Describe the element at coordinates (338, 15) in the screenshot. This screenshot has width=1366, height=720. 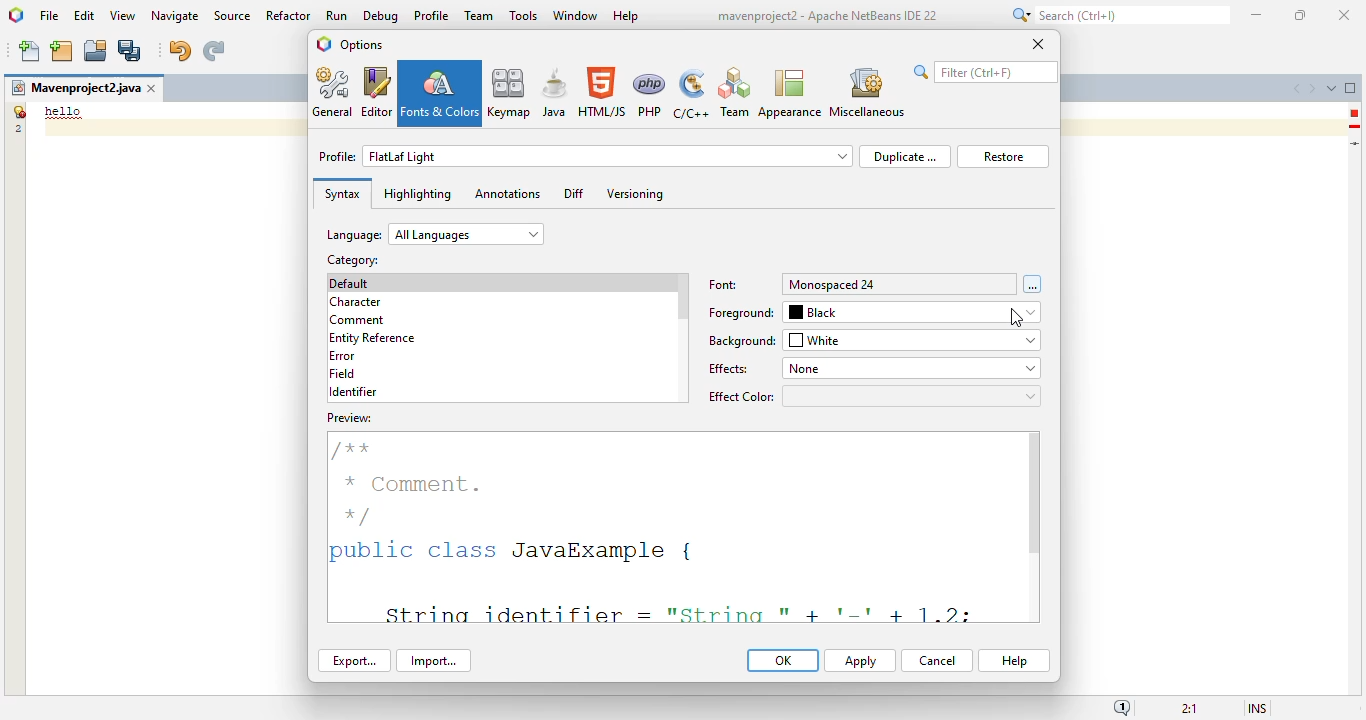
I see `run` at that location.